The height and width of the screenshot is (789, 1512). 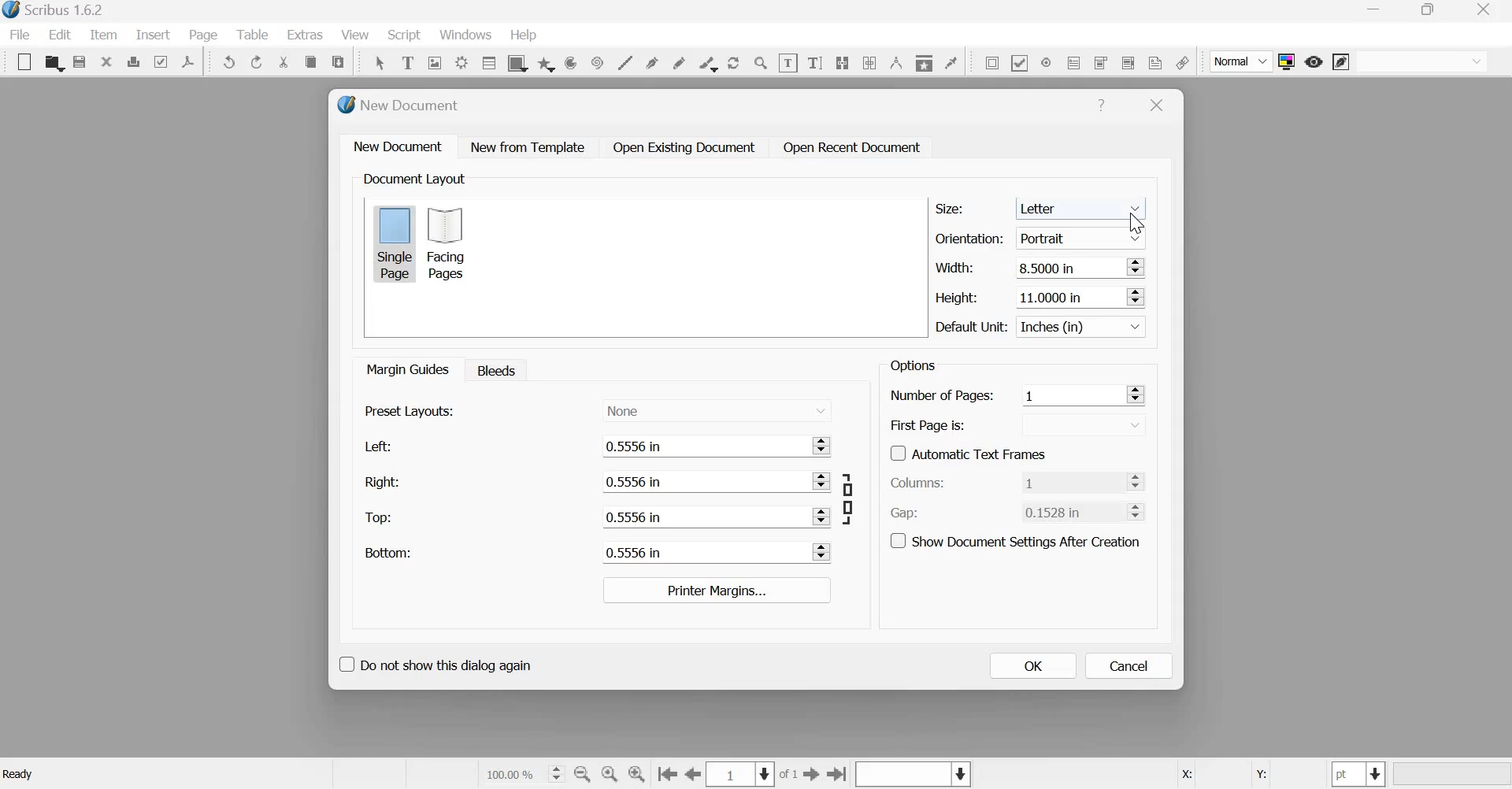 What do you see at coordinates (1359, 774) in the screenshot?
I see `select the current unit` at bounding box center [1359, 774].